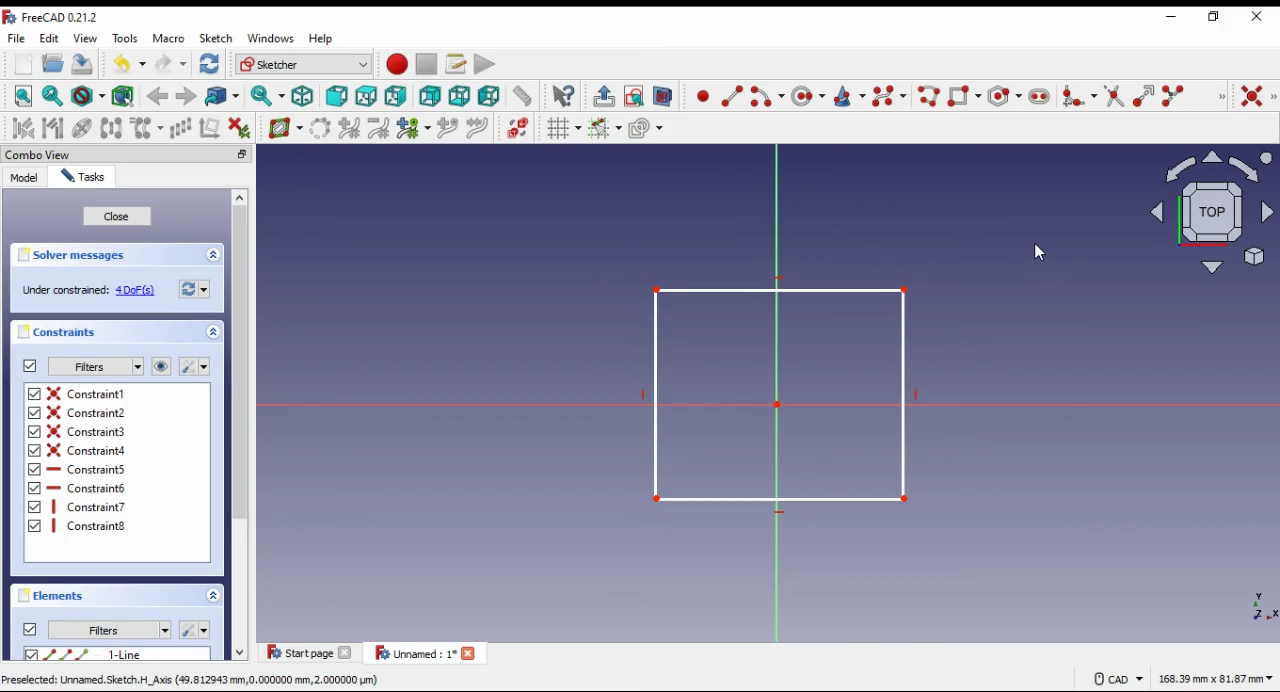 Image resolution: width=1280 pixels, height=692 pixels. Describe the element at coordinates (53, 63) in the screenshot. I see `open` at that location.